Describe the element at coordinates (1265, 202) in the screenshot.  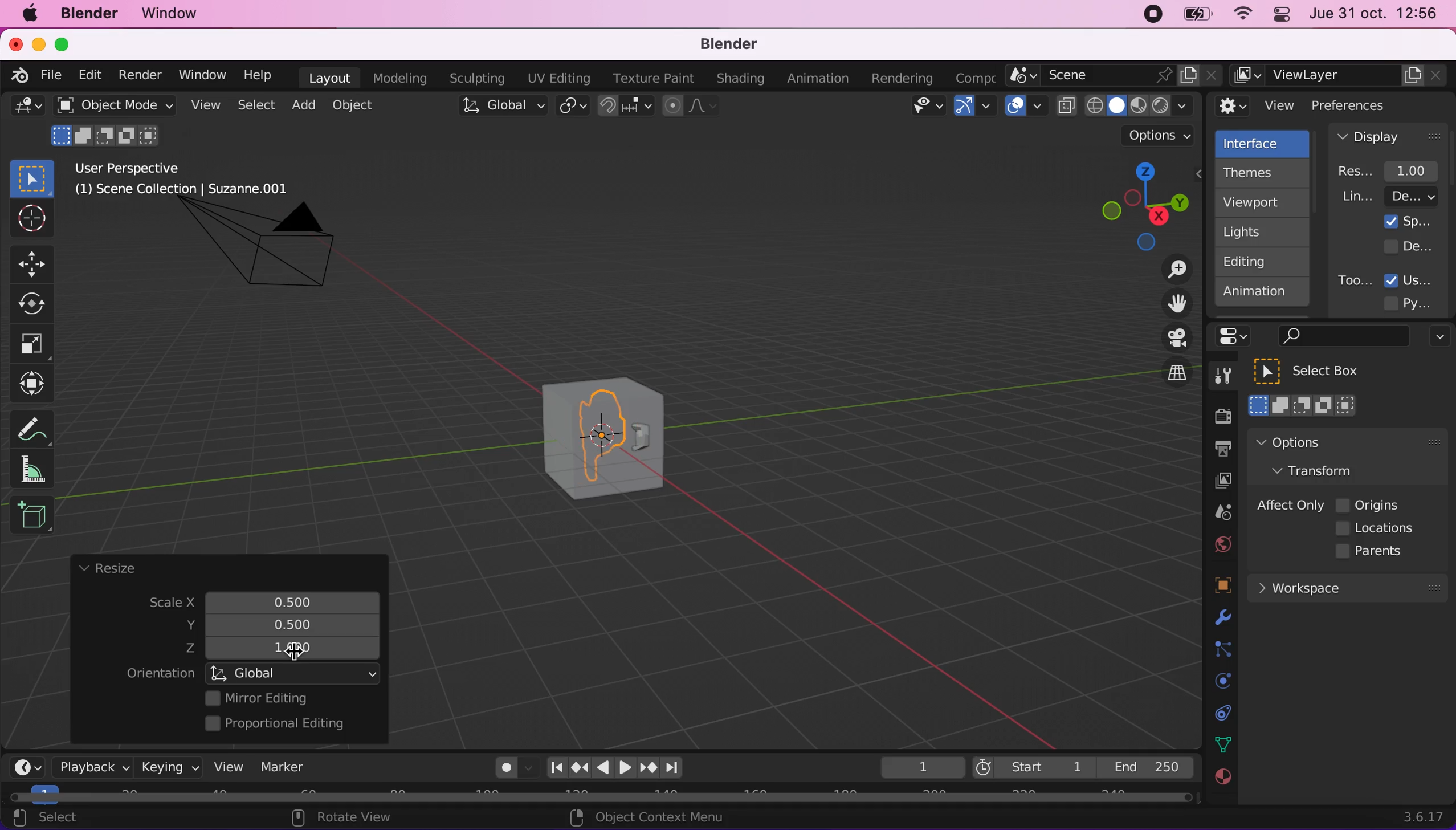
I see `viewport` at that location.